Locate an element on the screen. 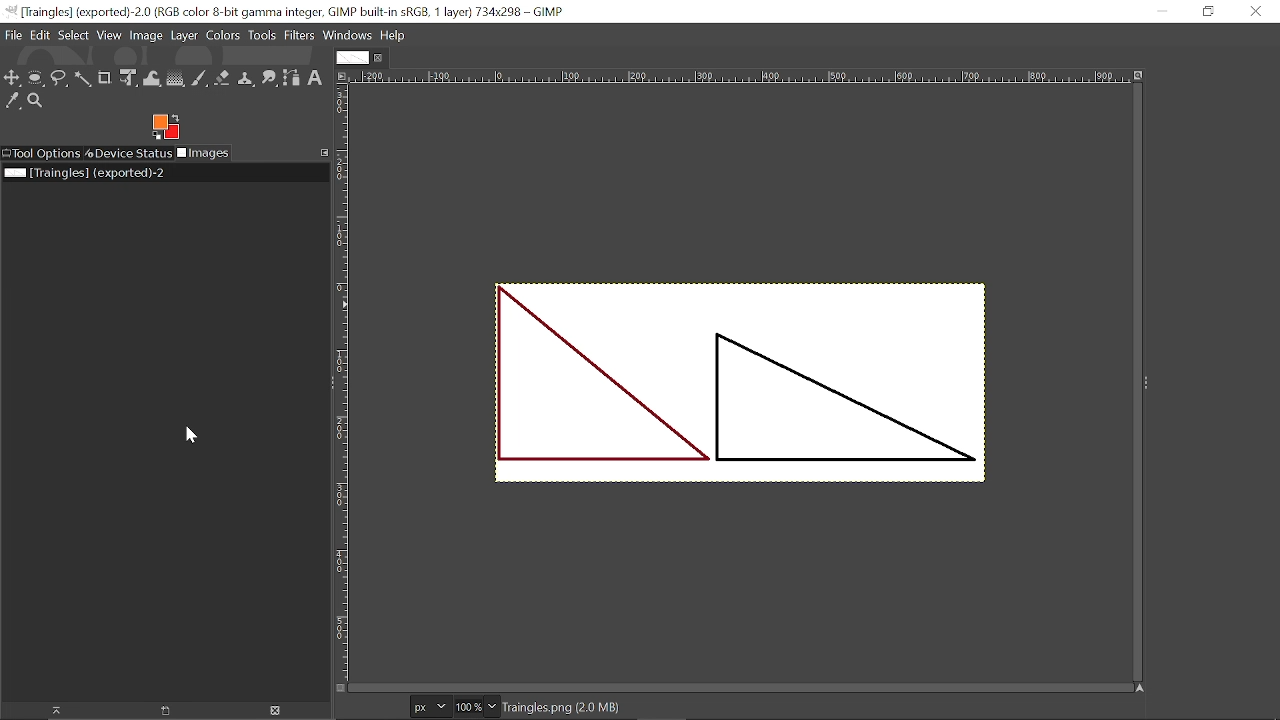 The height and width of the screenshot is (720, 1280). Free select tool is located at coordinates (59, 79).